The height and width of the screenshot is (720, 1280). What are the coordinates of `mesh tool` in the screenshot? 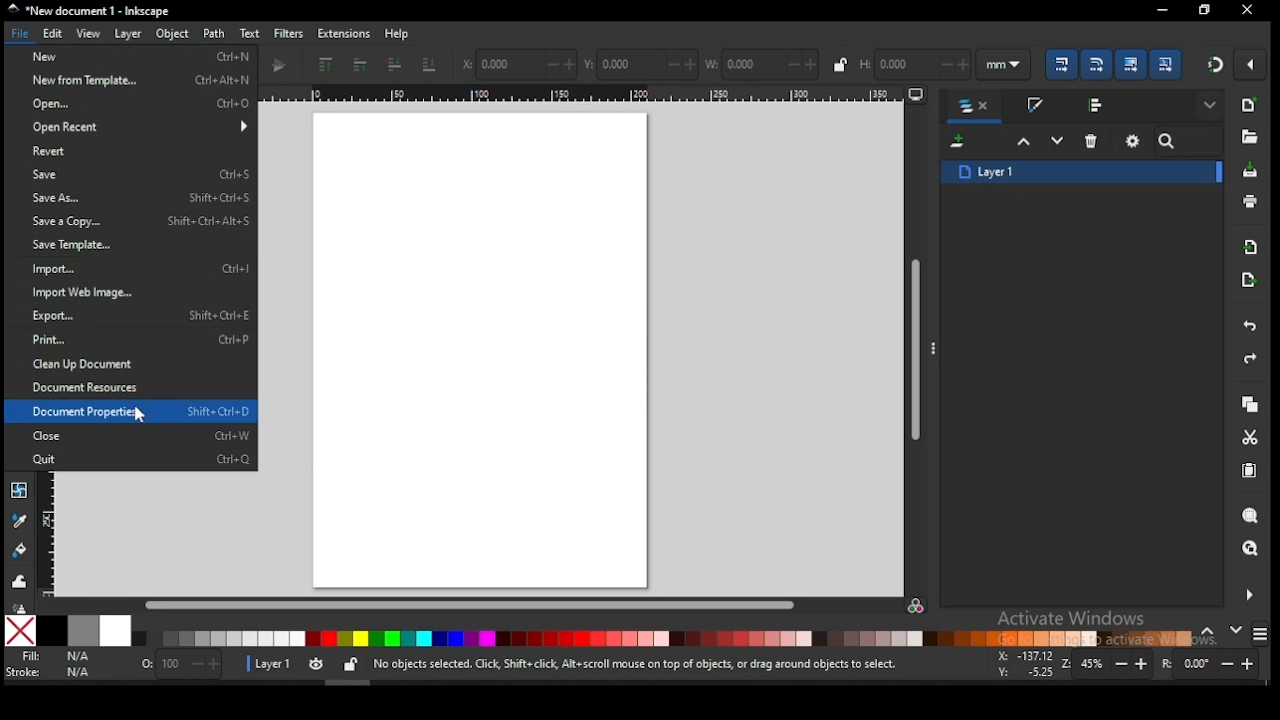 It's located at (19, 490).